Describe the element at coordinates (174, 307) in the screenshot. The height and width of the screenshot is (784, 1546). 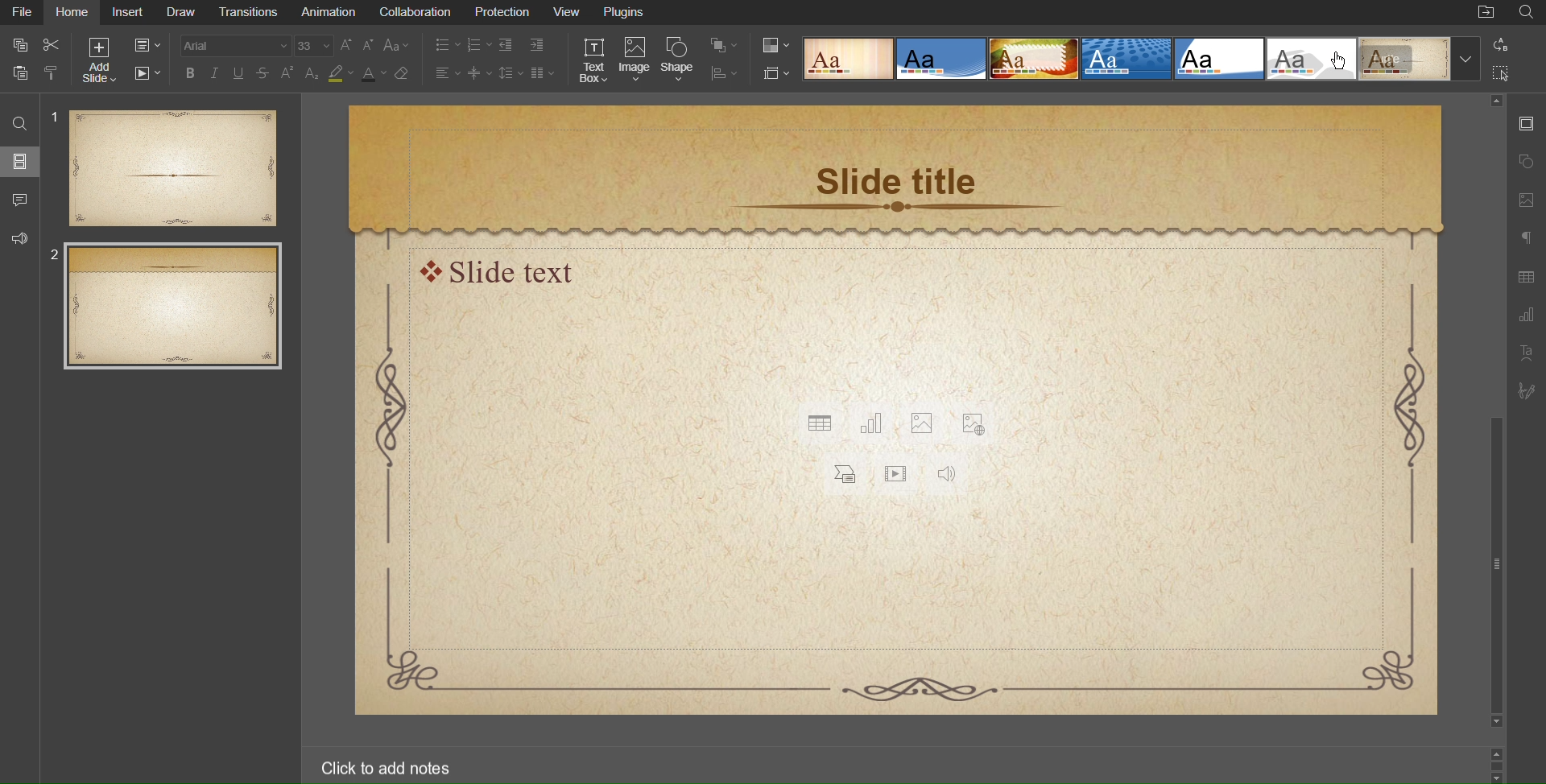
I see `Slide 2` at that location.